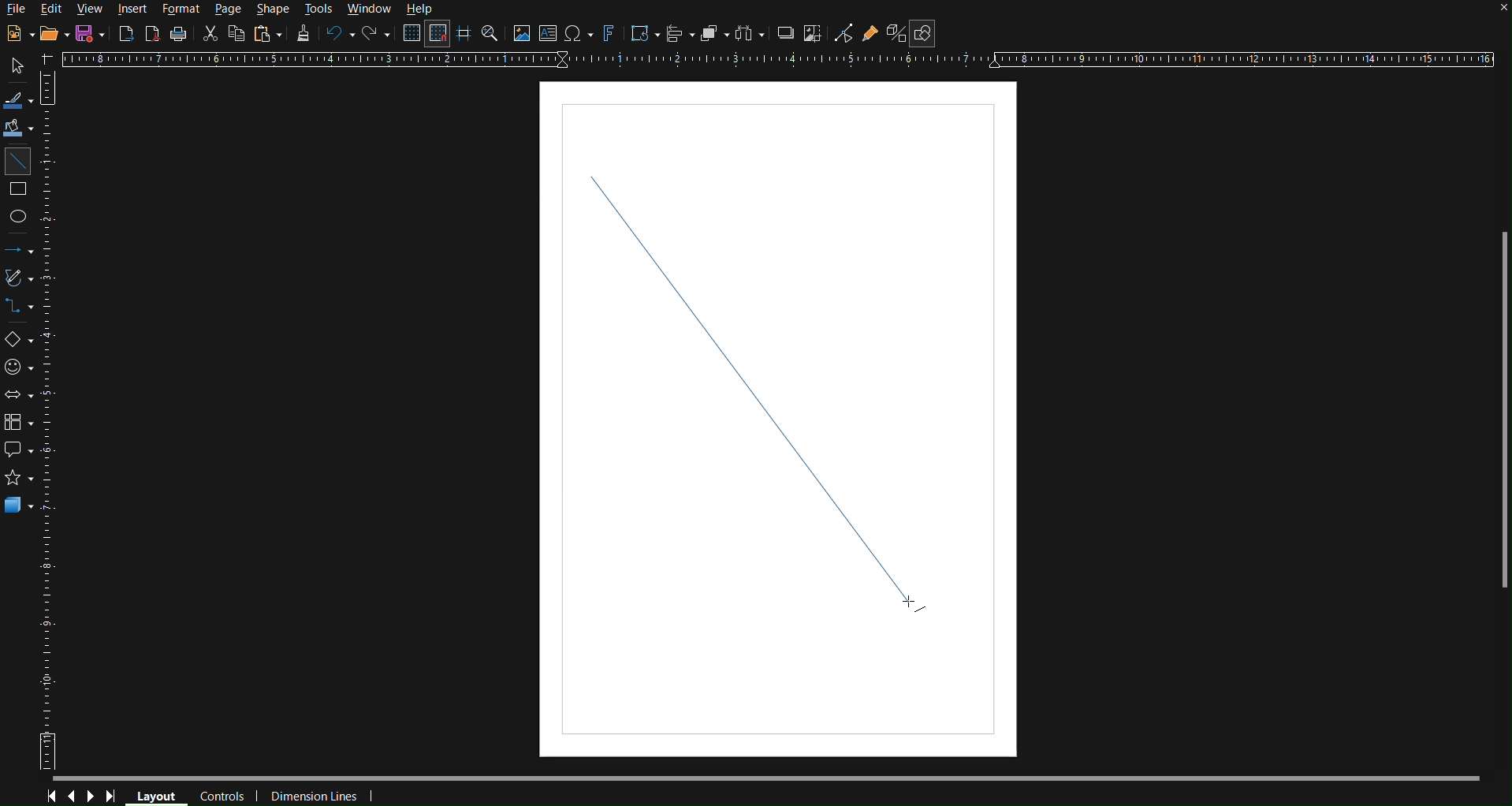 The height and width of the screenshot is (806, 1512). Describe the element at coordinates (870, 32) in the screenshot. I see `Show Gluepoint Functions` at that location.